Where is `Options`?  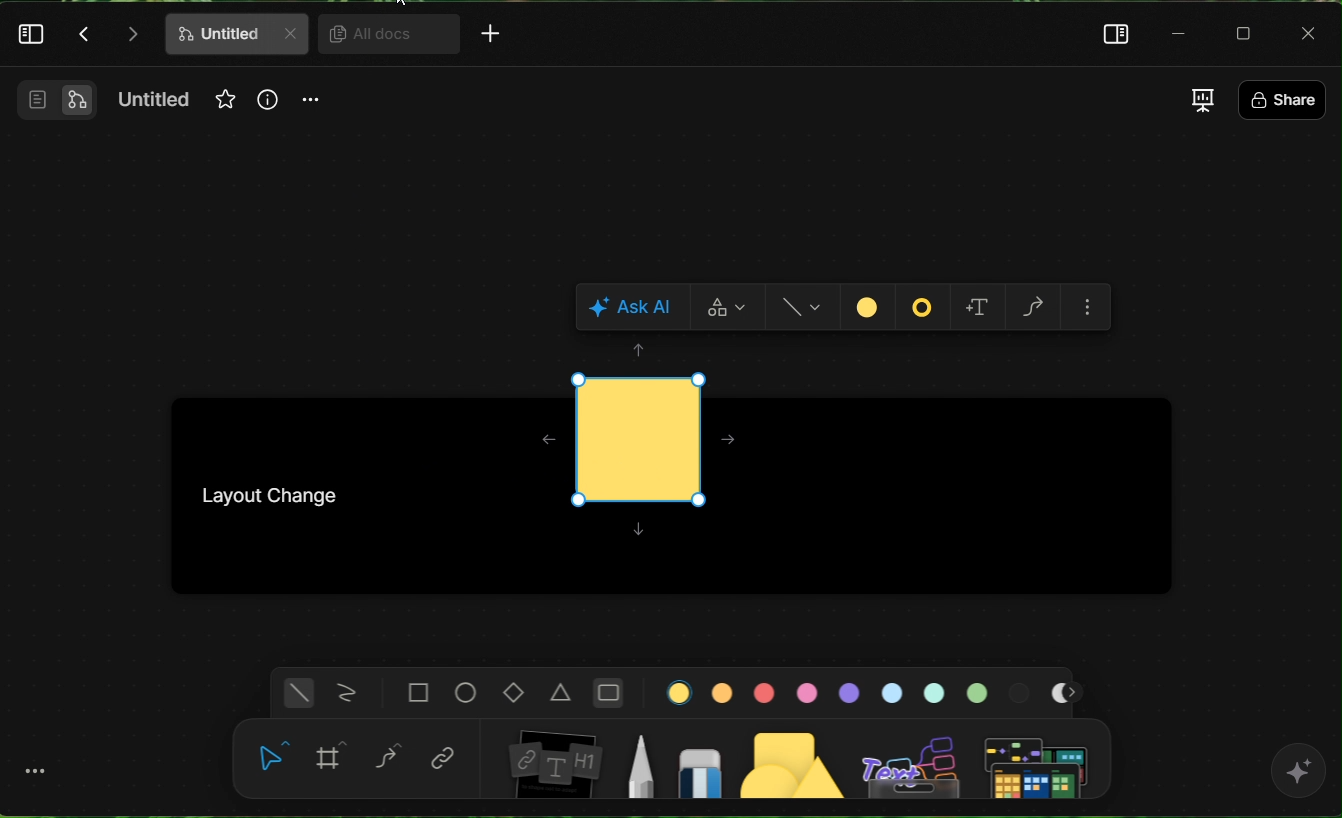 Options is located at coordinates (1094, 306).